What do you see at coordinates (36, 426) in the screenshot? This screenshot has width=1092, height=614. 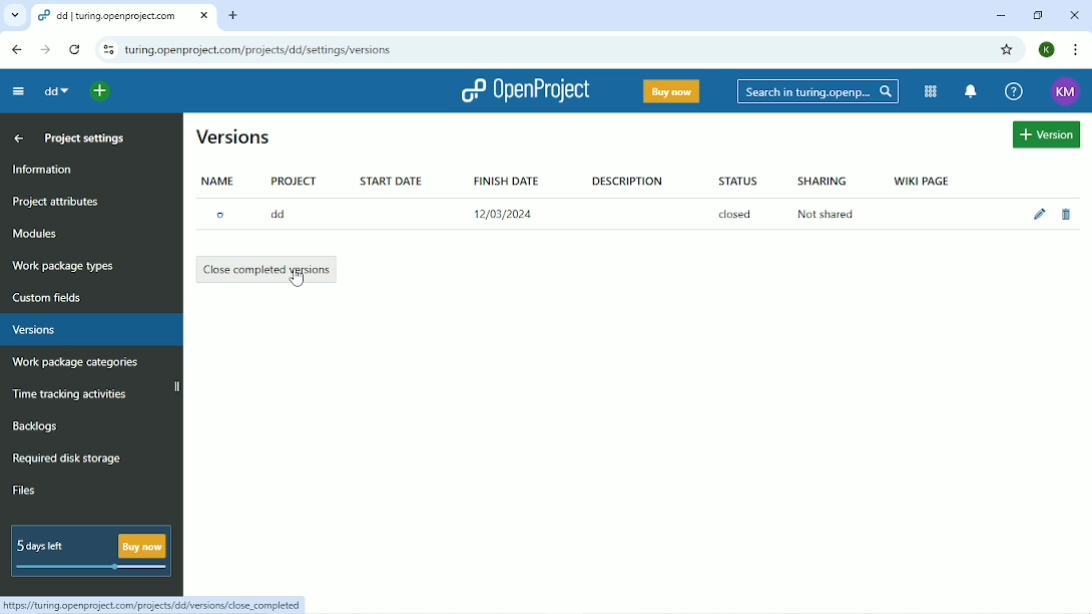 I see `Backlogs` at bounding box center [36, 426].